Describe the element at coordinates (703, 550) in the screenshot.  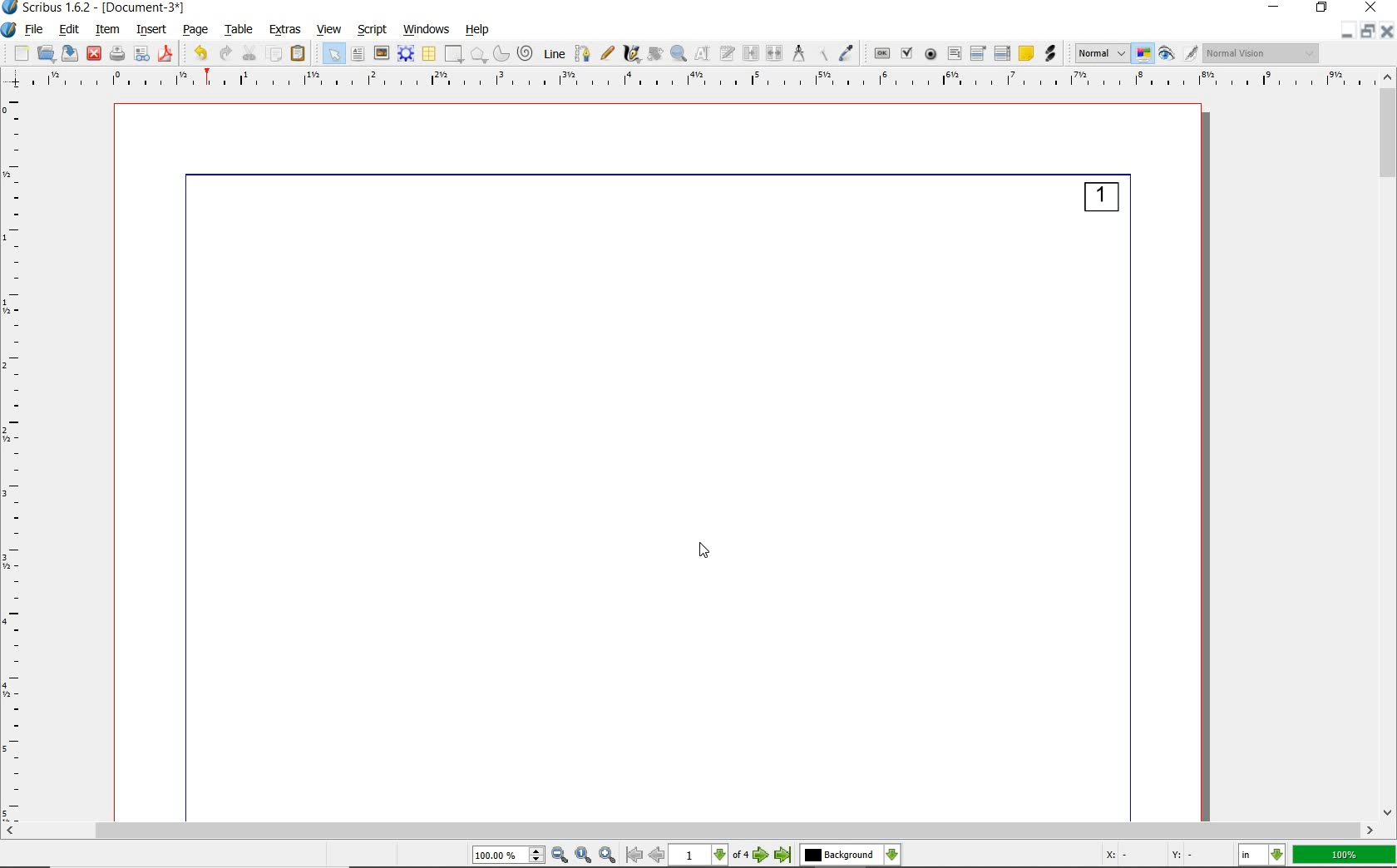
I see `Cursor Position` at that location.